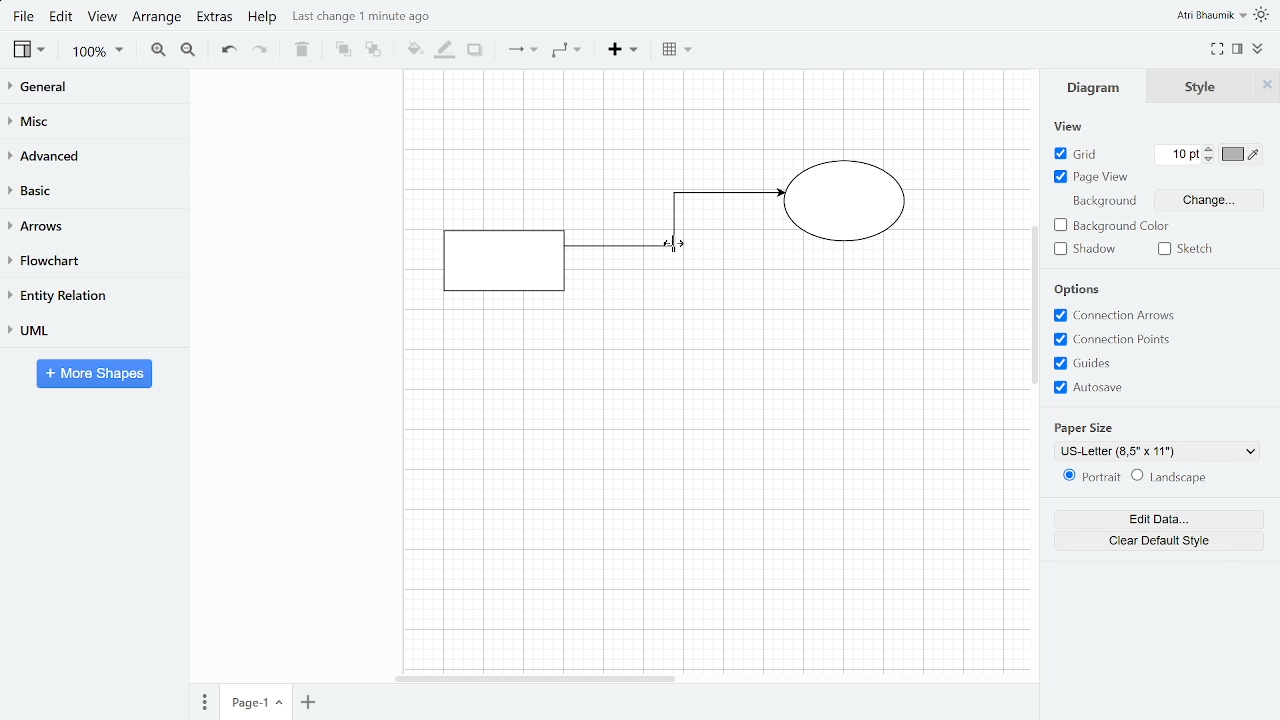 This screenshot has width=1280, height=720. Describe the element at coordinates (679, 246) in the screenshot. I see `cursor` at that location.